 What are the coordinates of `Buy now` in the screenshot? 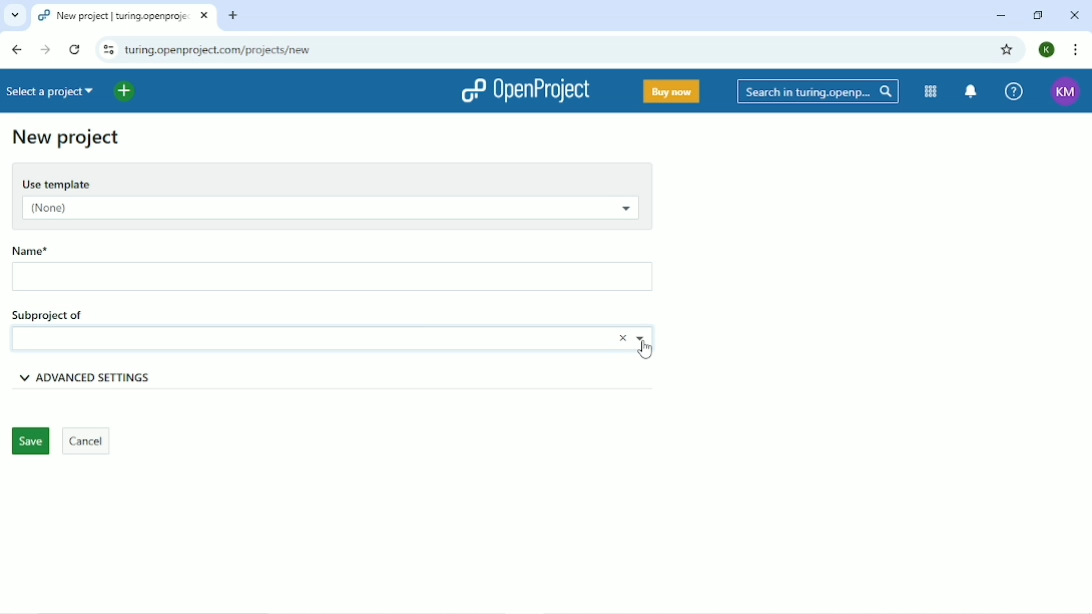 It's located at (670, 93).